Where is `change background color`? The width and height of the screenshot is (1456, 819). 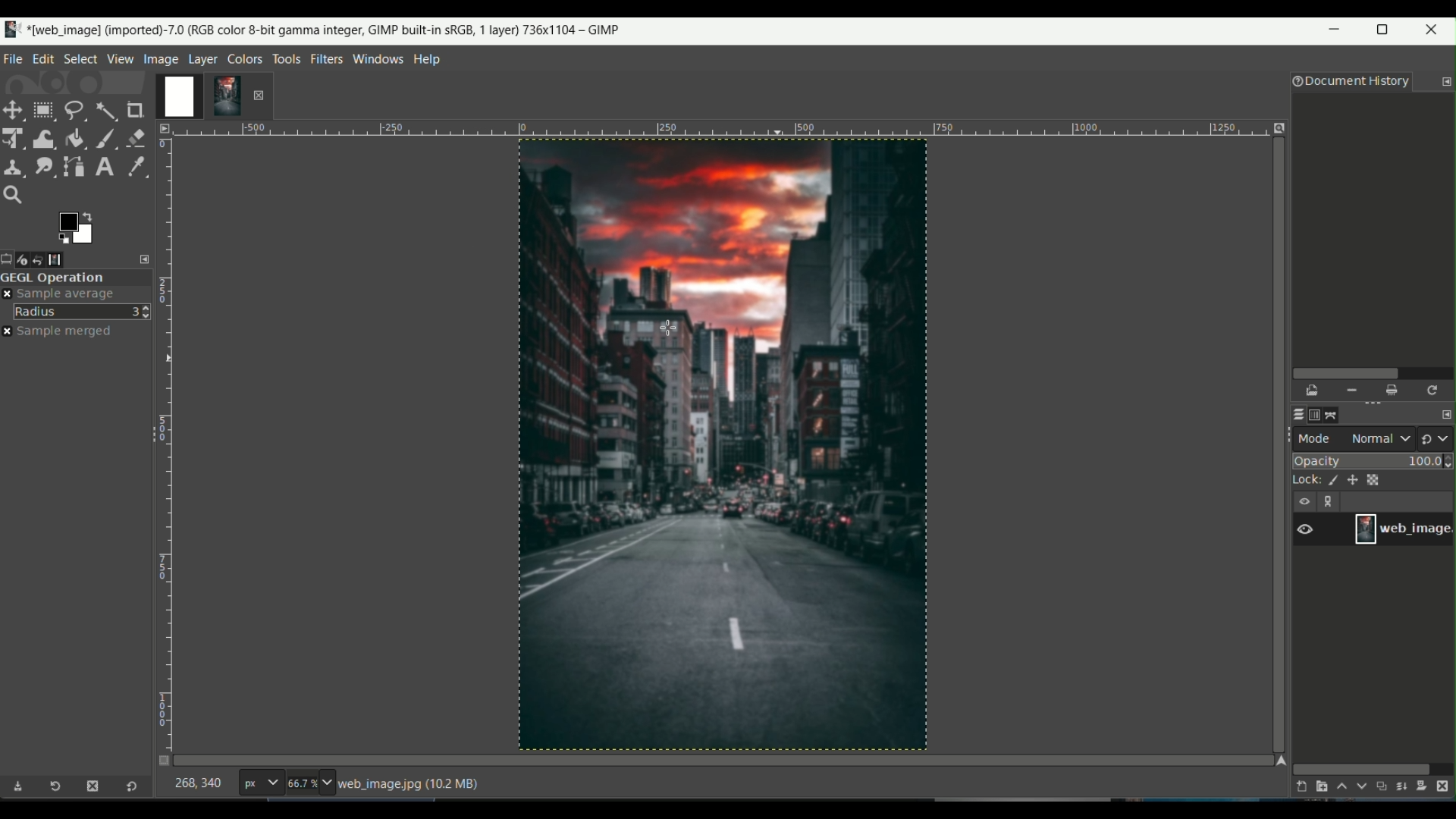
change background color is located at coordinates (75, 227).